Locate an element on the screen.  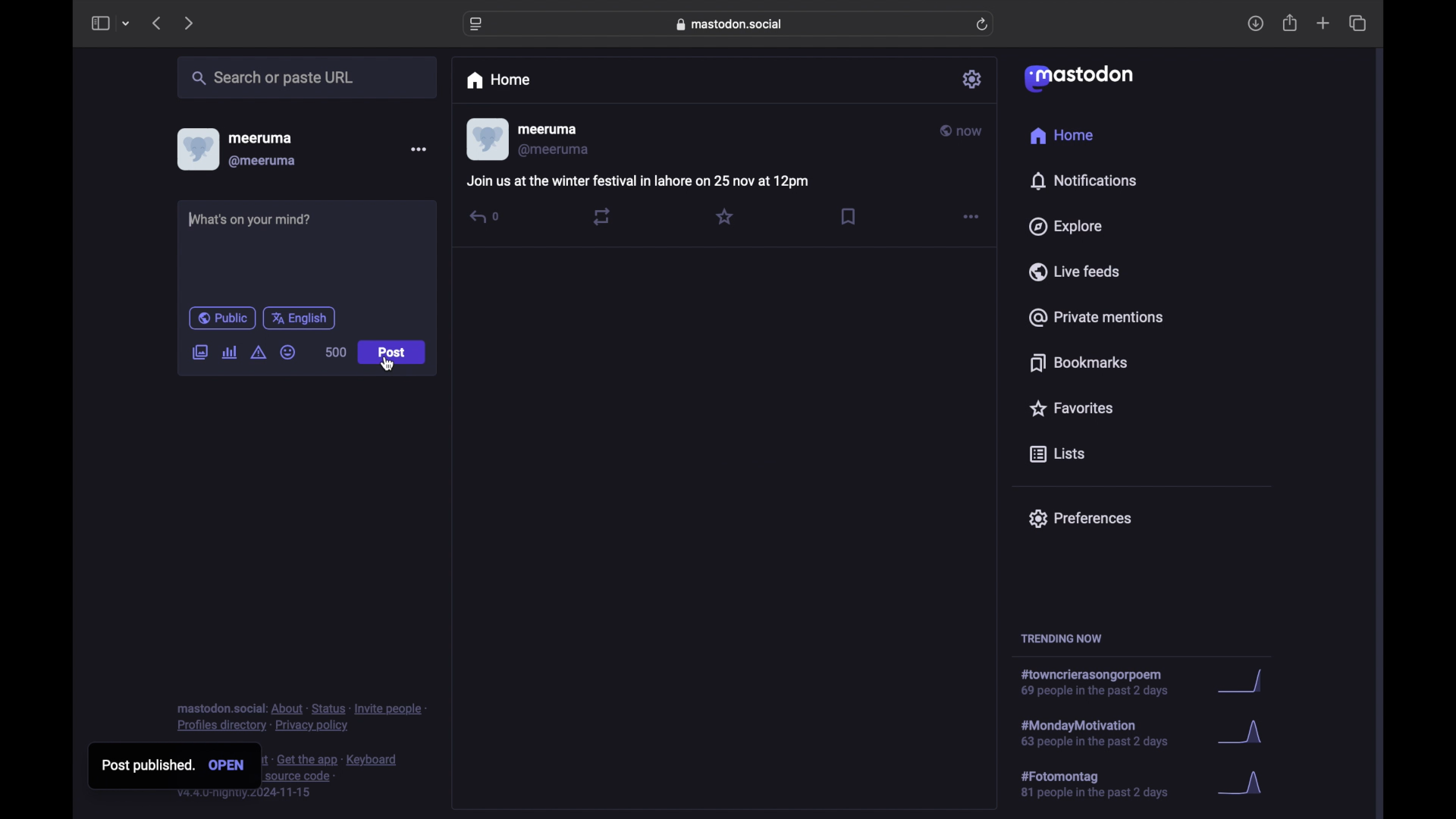
more options is located at coordinates (971, 217).